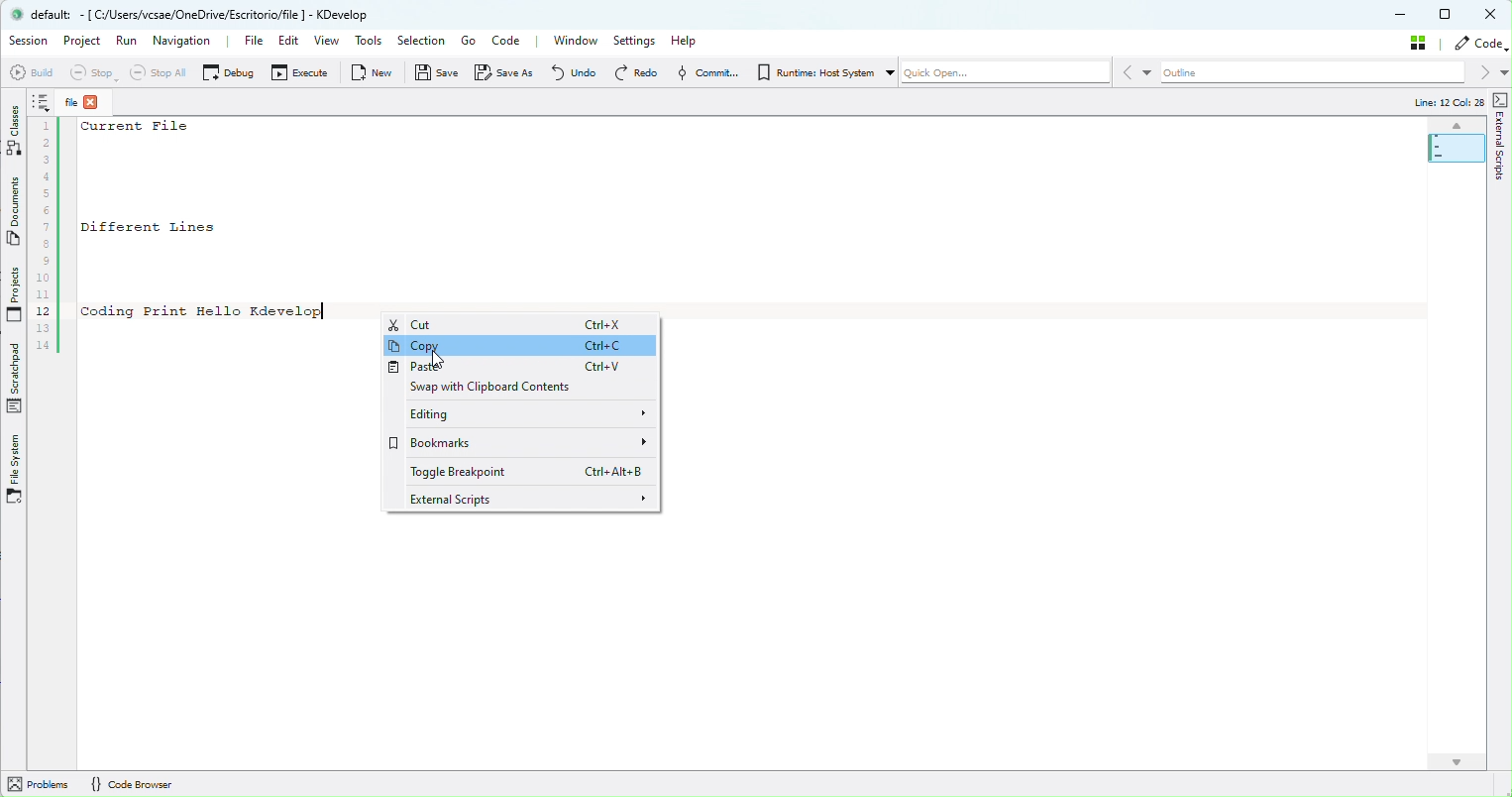 This screenshot has width=1512, height=797. I want to click on External Scripts, so click(532, 500).